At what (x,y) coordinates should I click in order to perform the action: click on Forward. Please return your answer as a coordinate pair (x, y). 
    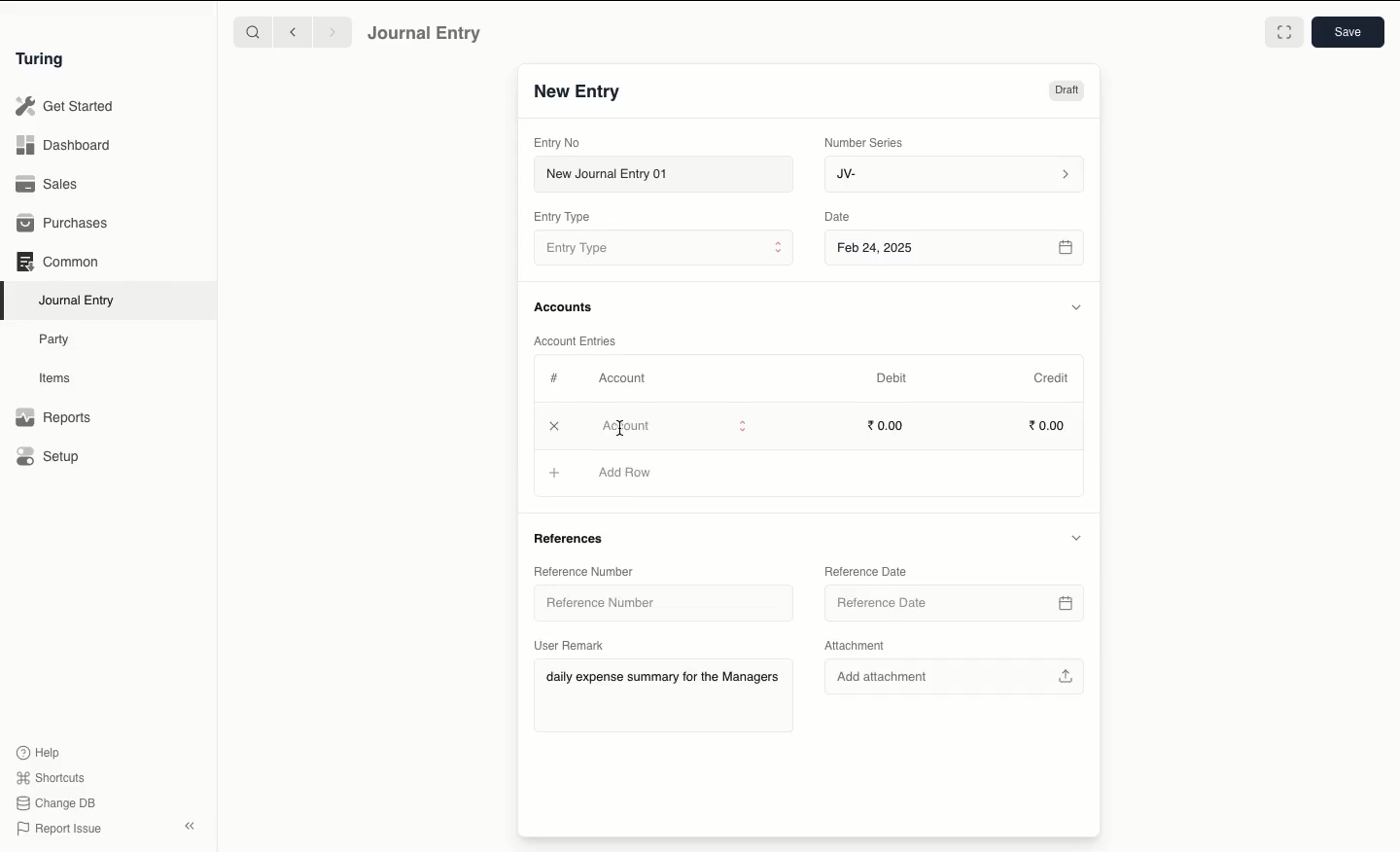
    Looking at the image, I should click on (333, 31).